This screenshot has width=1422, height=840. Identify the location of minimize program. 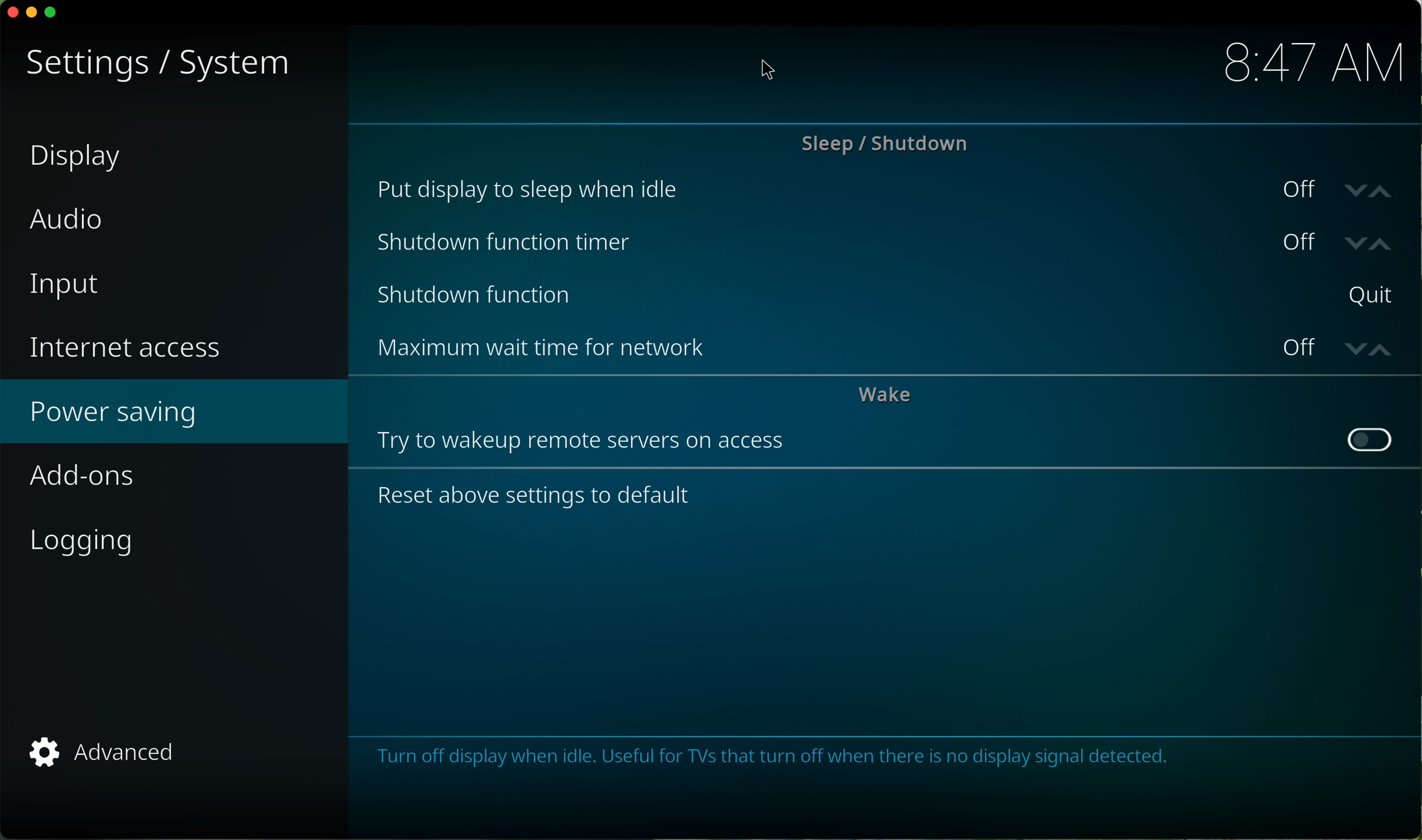
(33, 13).